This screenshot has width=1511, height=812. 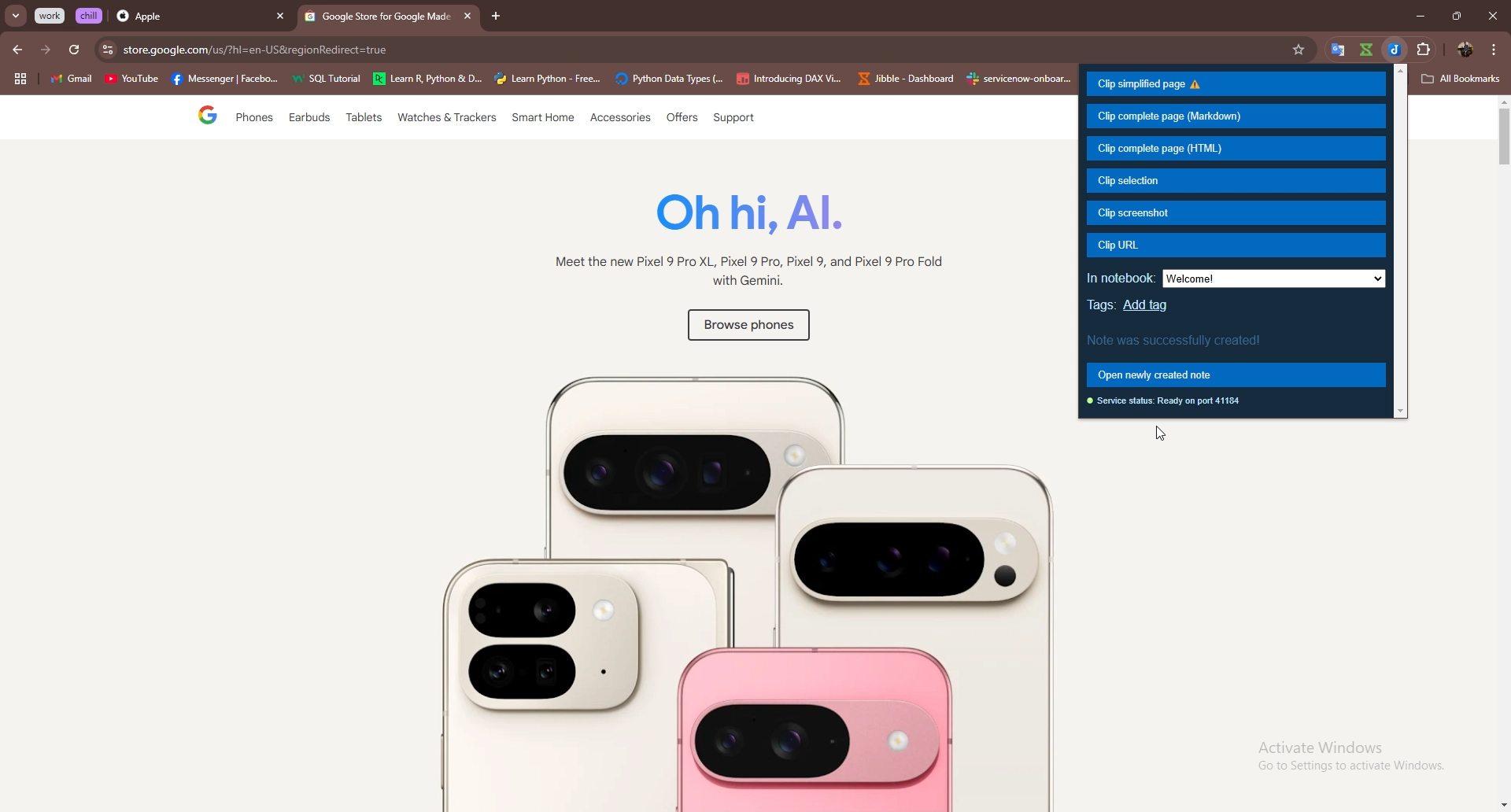 I want to click on clip selection, so click(x=1235, y=181).